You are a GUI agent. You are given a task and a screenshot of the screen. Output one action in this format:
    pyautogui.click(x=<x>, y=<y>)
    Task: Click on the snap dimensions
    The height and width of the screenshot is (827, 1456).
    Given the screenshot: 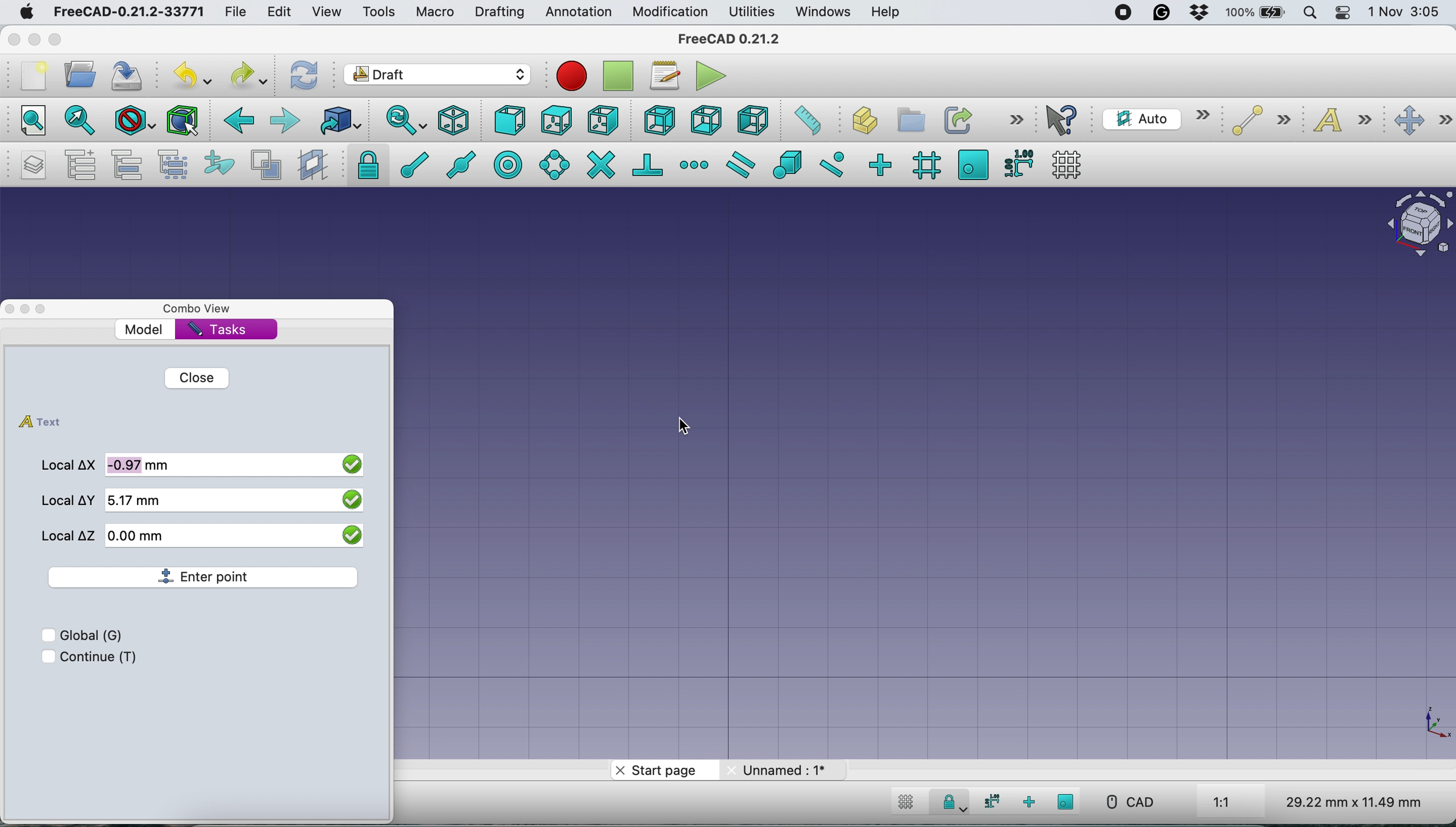 What is the action you would take?
    pyautogui.click(x=989, y=803)
    